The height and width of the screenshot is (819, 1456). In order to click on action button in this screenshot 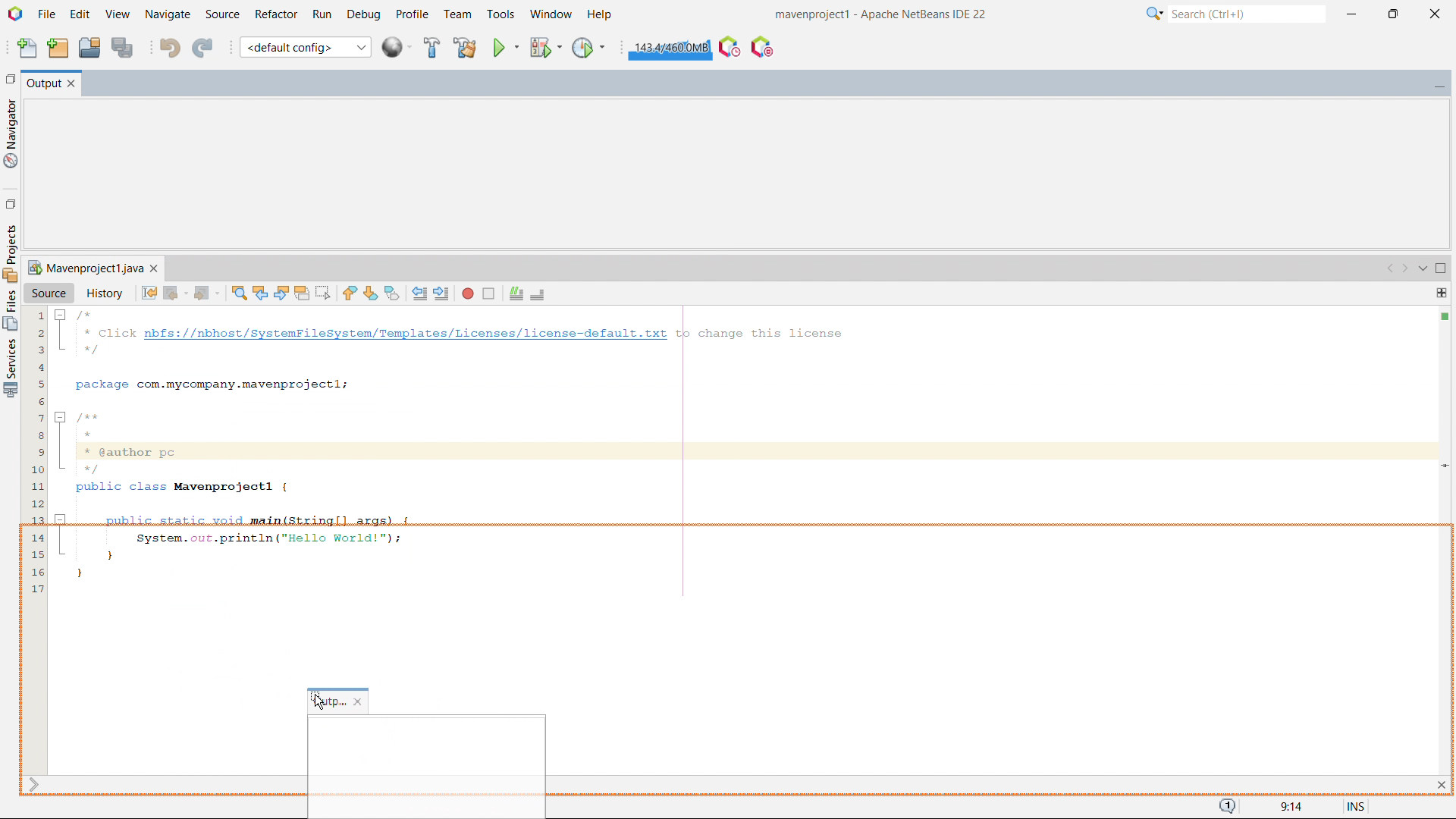, I will do `click(1444, 325)`.